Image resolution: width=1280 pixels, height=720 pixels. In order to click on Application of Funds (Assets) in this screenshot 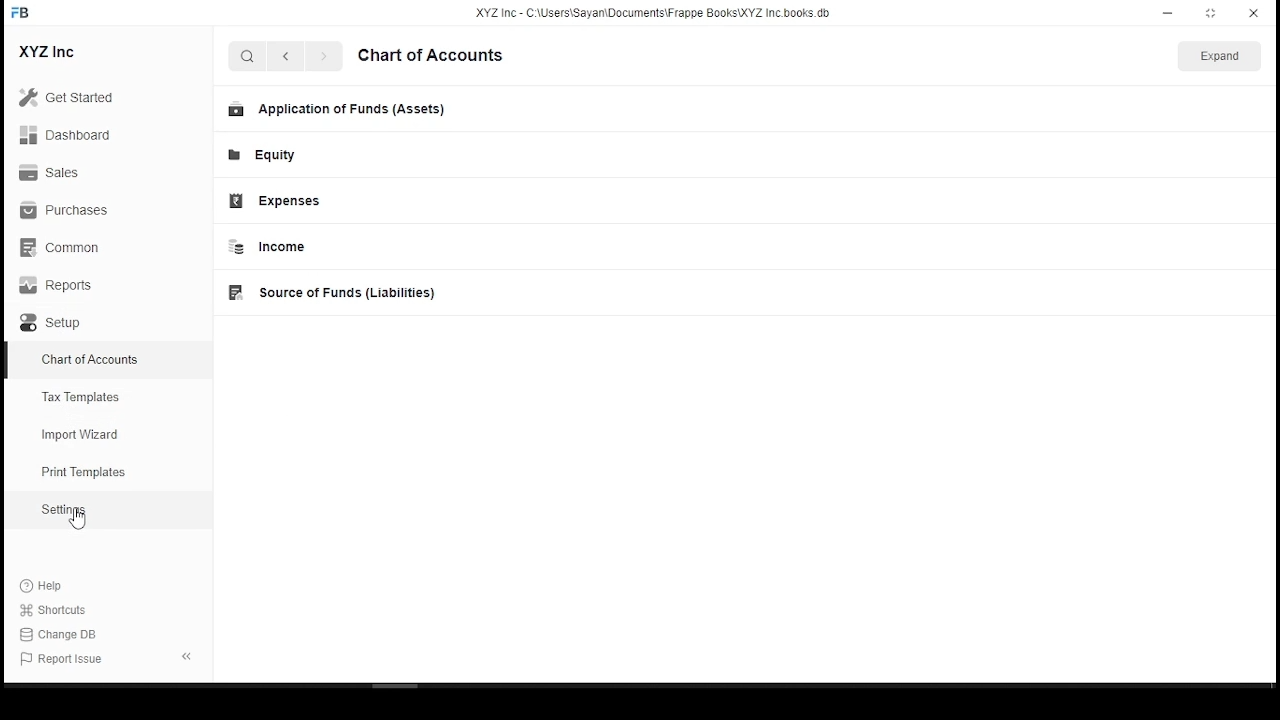, I will do `click(335, 110)`.